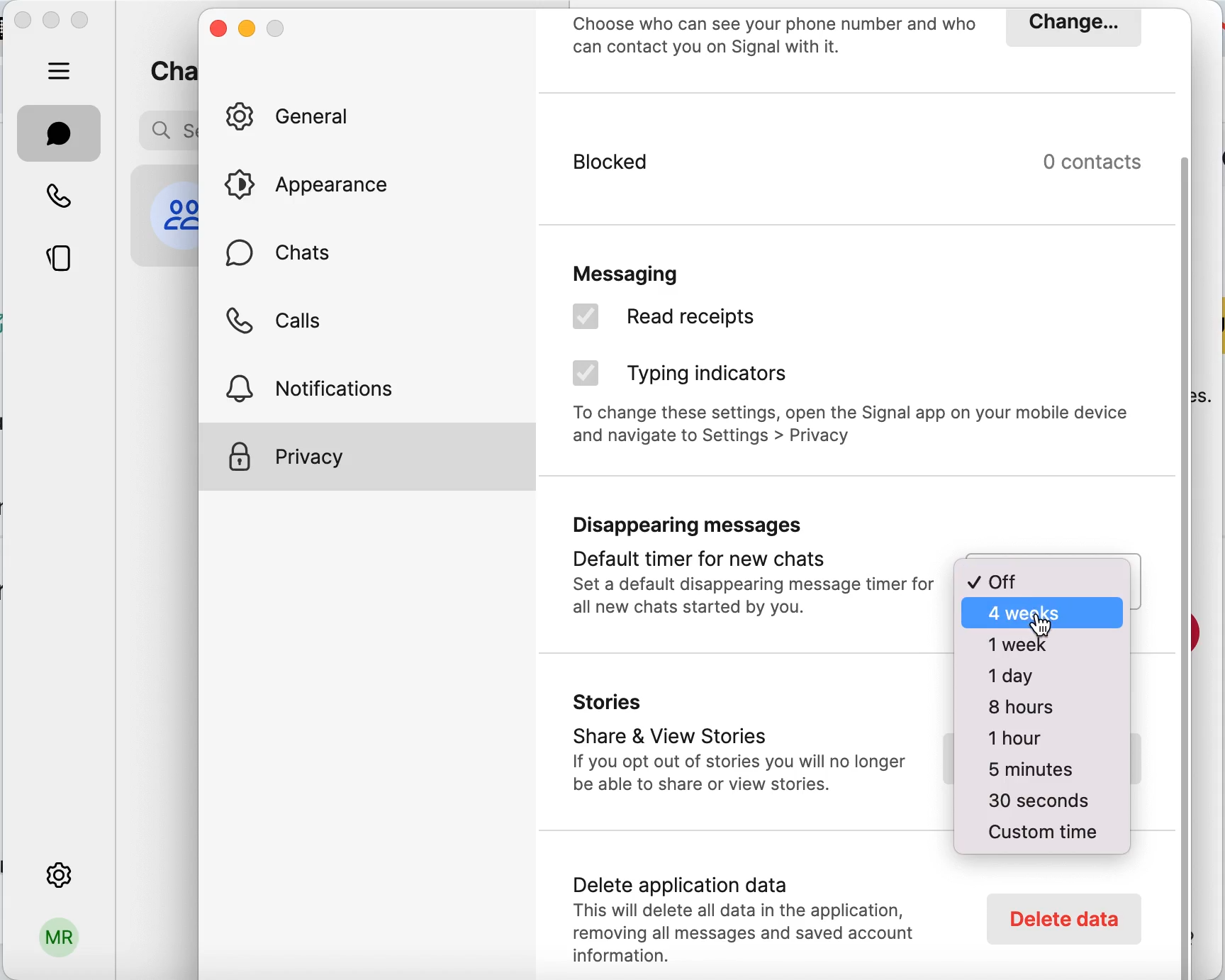  What do you see at coordinates (1102, 162) in the screenshot?
I see `0 contacts` at bounding box center [1102, 162].